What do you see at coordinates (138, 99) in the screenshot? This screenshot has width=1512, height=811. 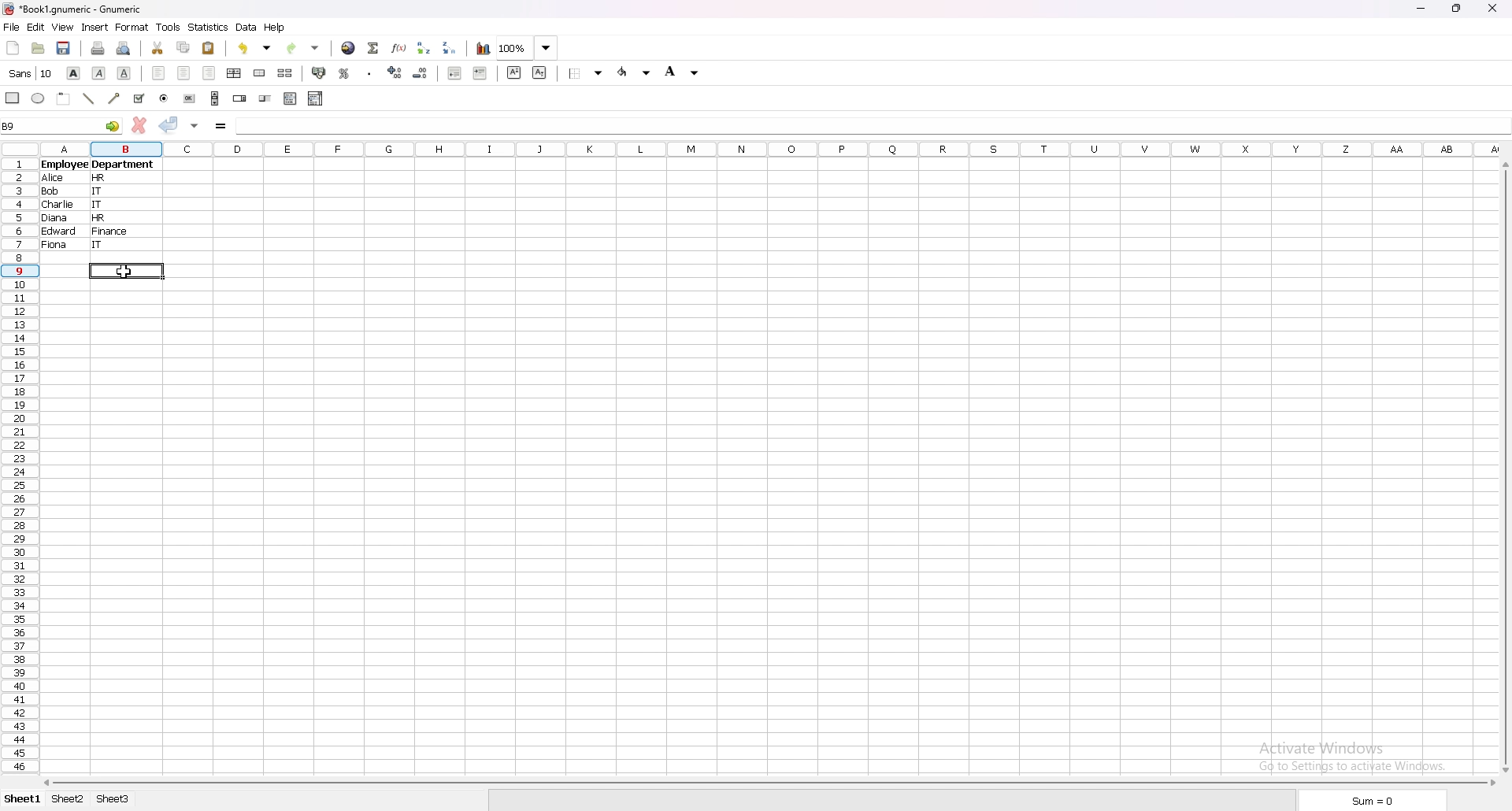 I see `tickbox` at bounding box center [138, 99].